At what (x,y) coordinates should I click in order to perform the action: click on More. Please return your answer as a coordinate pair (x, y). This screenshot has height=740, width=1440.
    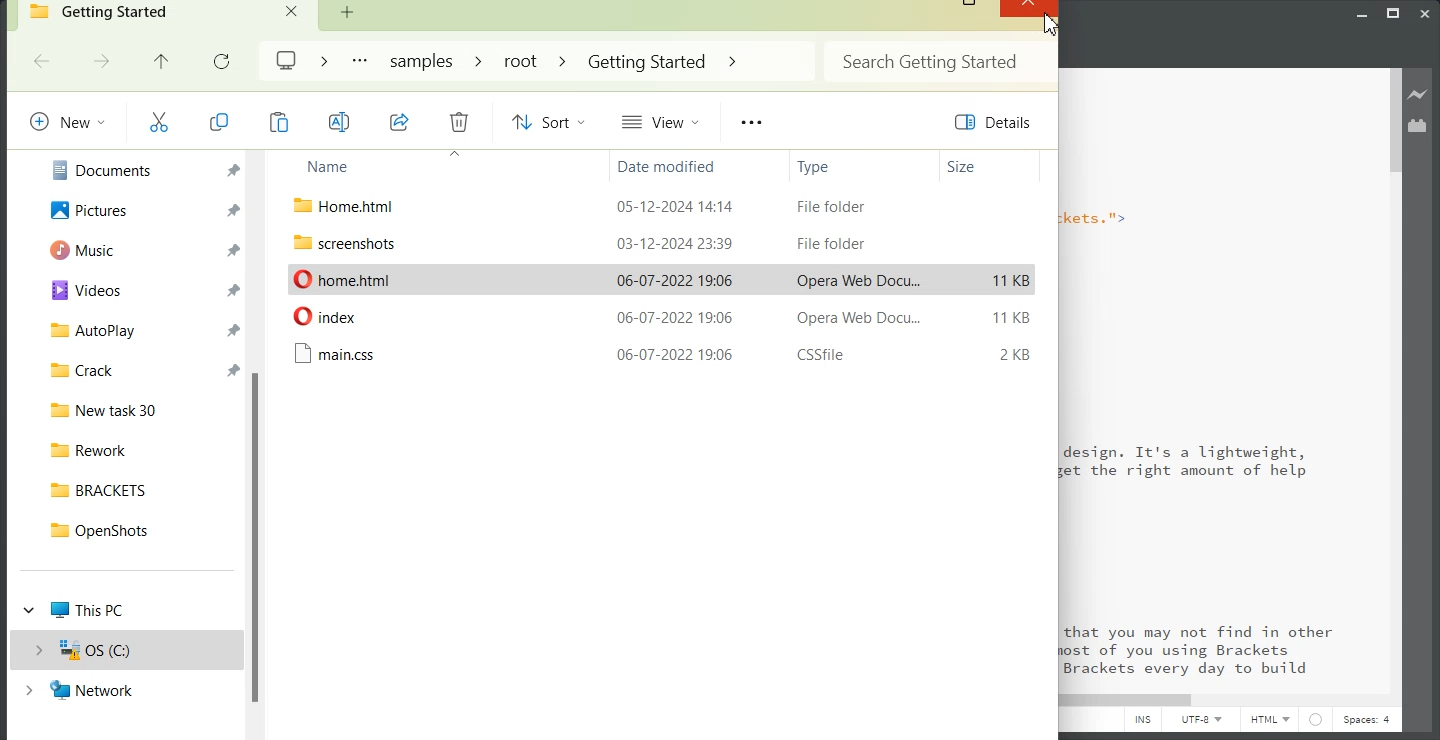
    Looking at the image, I should click on (358, 61).